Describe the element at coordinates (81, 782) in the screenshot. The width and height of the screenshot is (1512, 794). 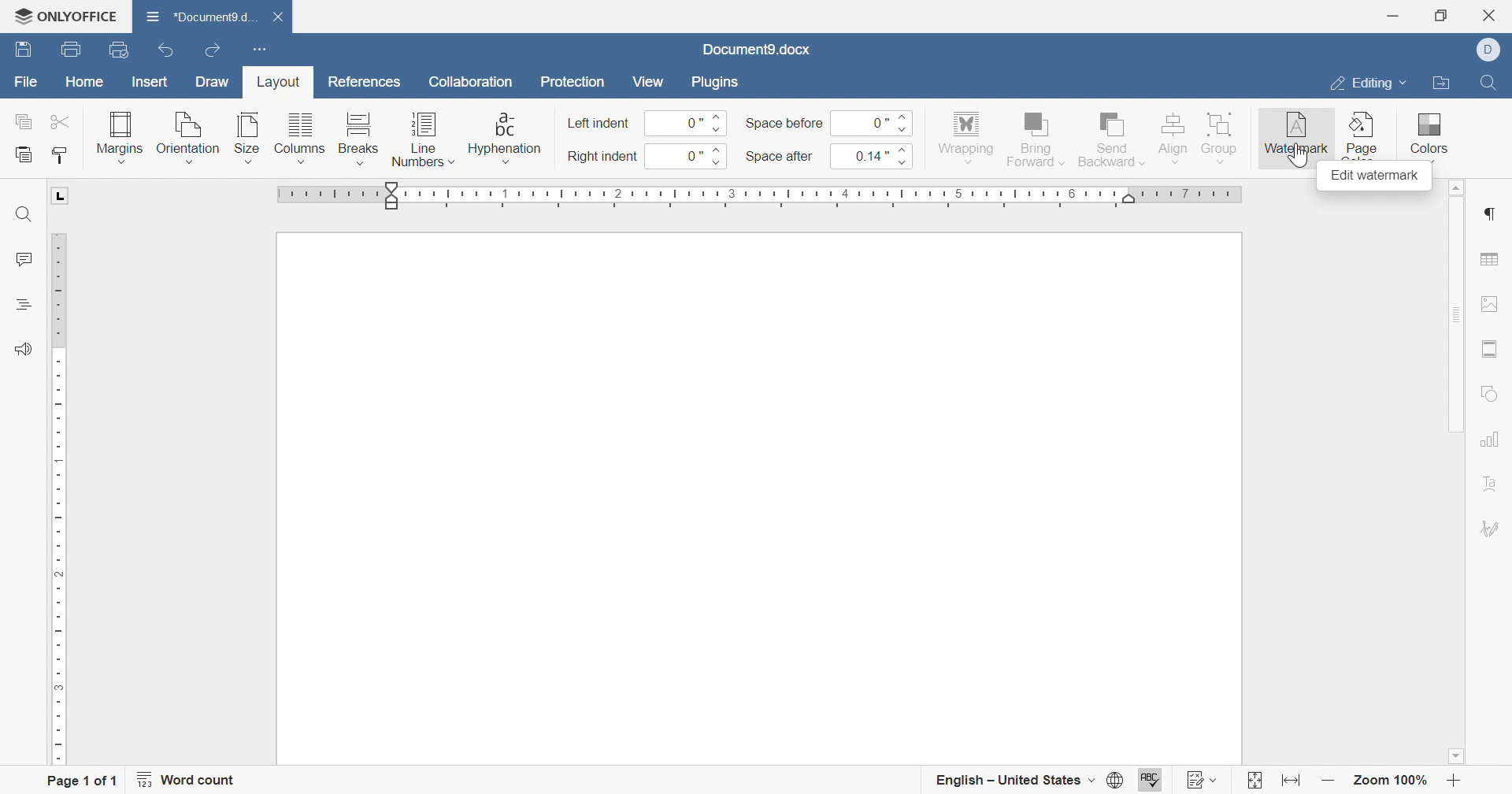
I see `page 1 of 1` at that location.